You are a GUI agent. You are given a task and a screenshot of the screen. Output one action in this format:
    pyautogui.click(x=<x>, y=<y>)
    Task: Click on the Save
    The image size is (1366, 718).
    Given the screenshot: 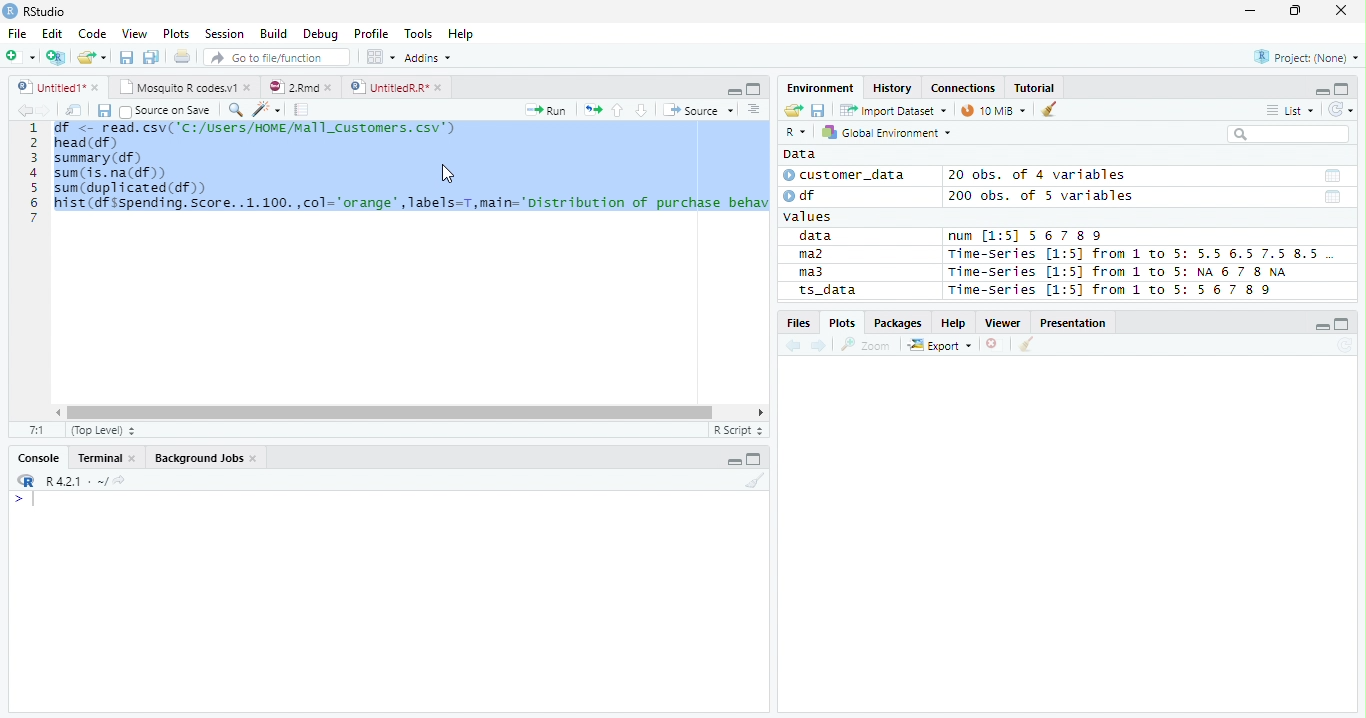 What is the action you would take?
    pyautogui.click(x=818, y=109)
    